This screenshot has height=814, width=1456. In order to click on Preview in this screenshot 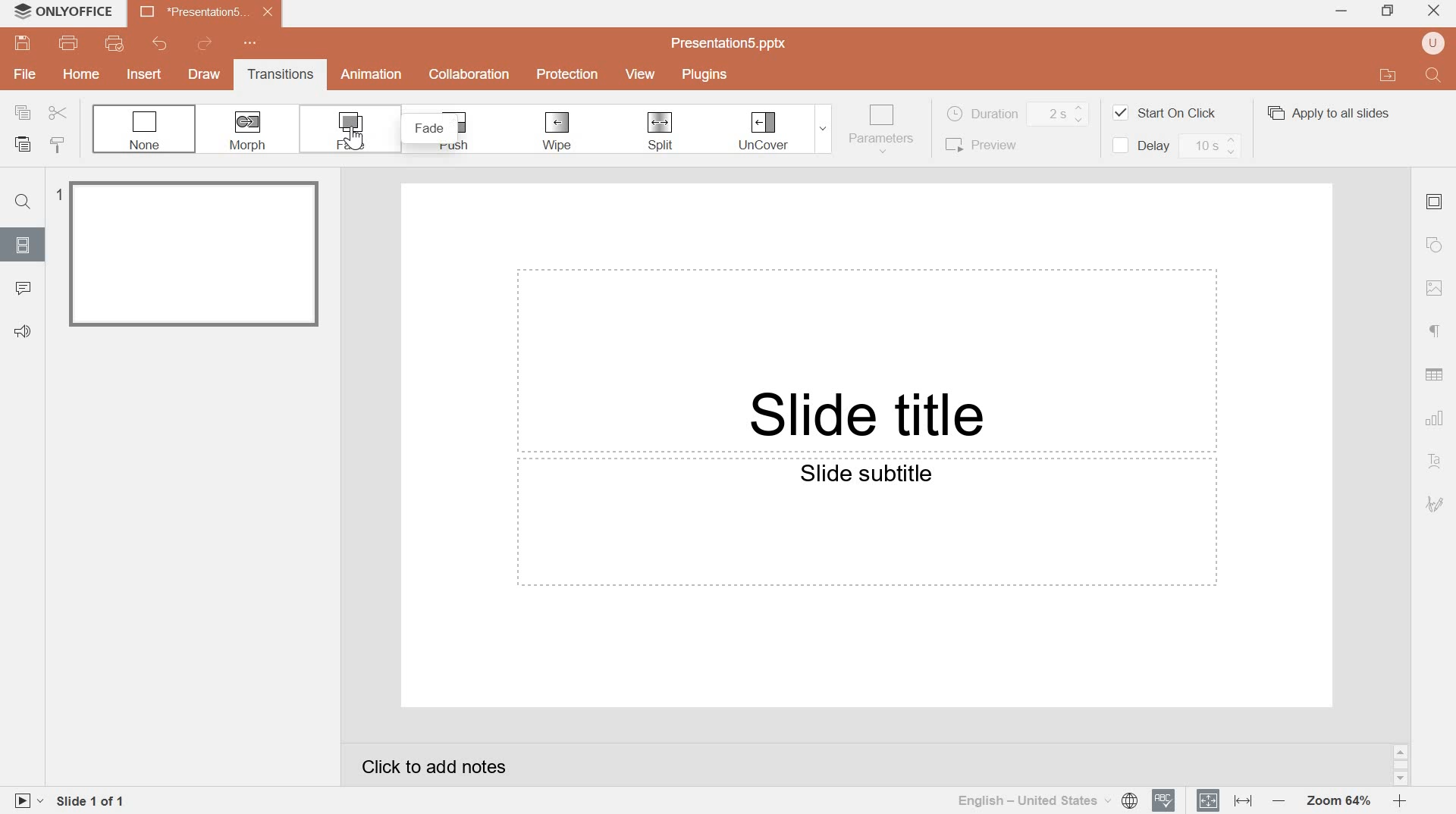, I will do `click(989, 144)`.